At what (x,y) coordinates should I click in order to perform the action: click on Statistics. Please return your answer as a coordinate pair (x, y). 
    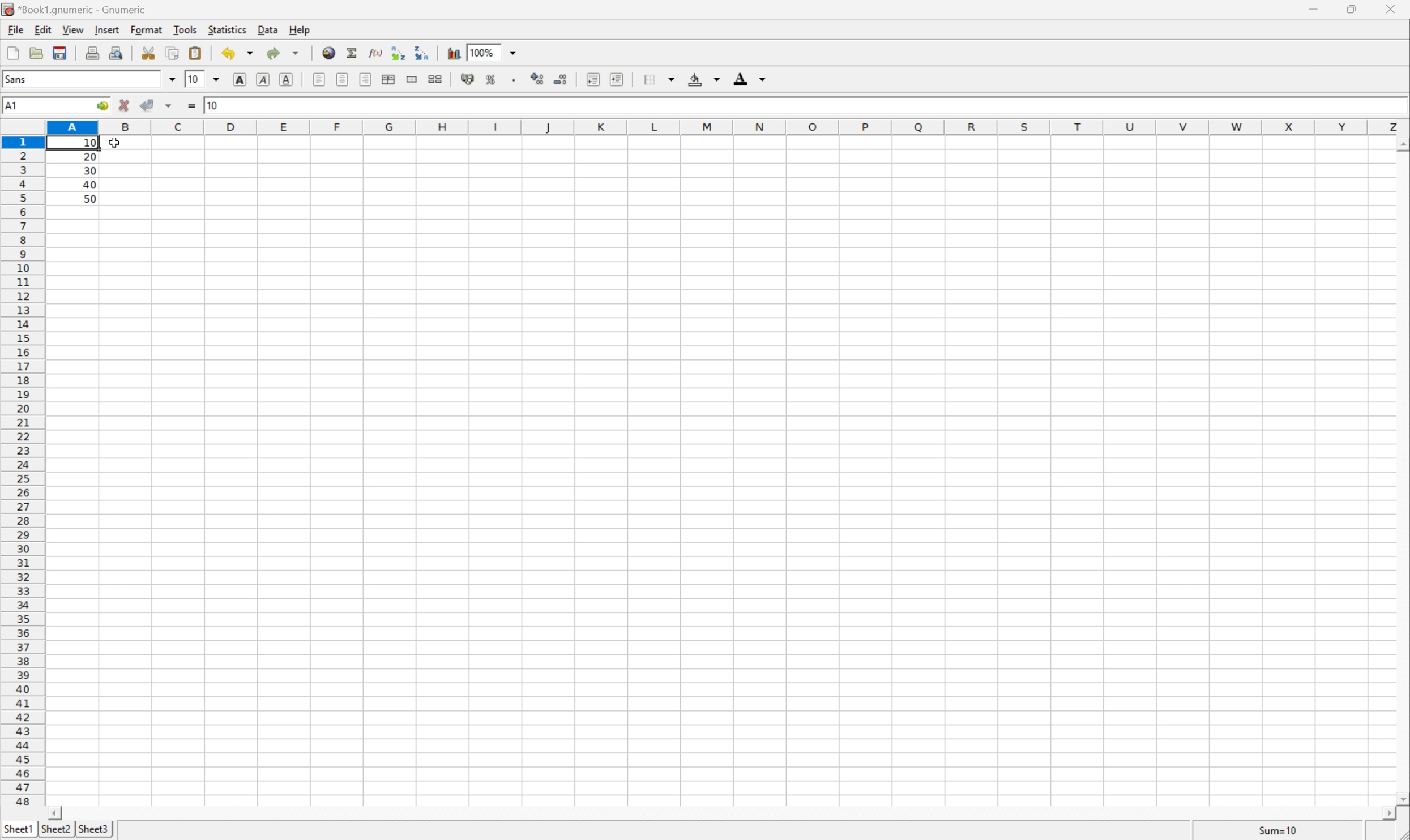
    Looking at the image, I should click on (227, 30).